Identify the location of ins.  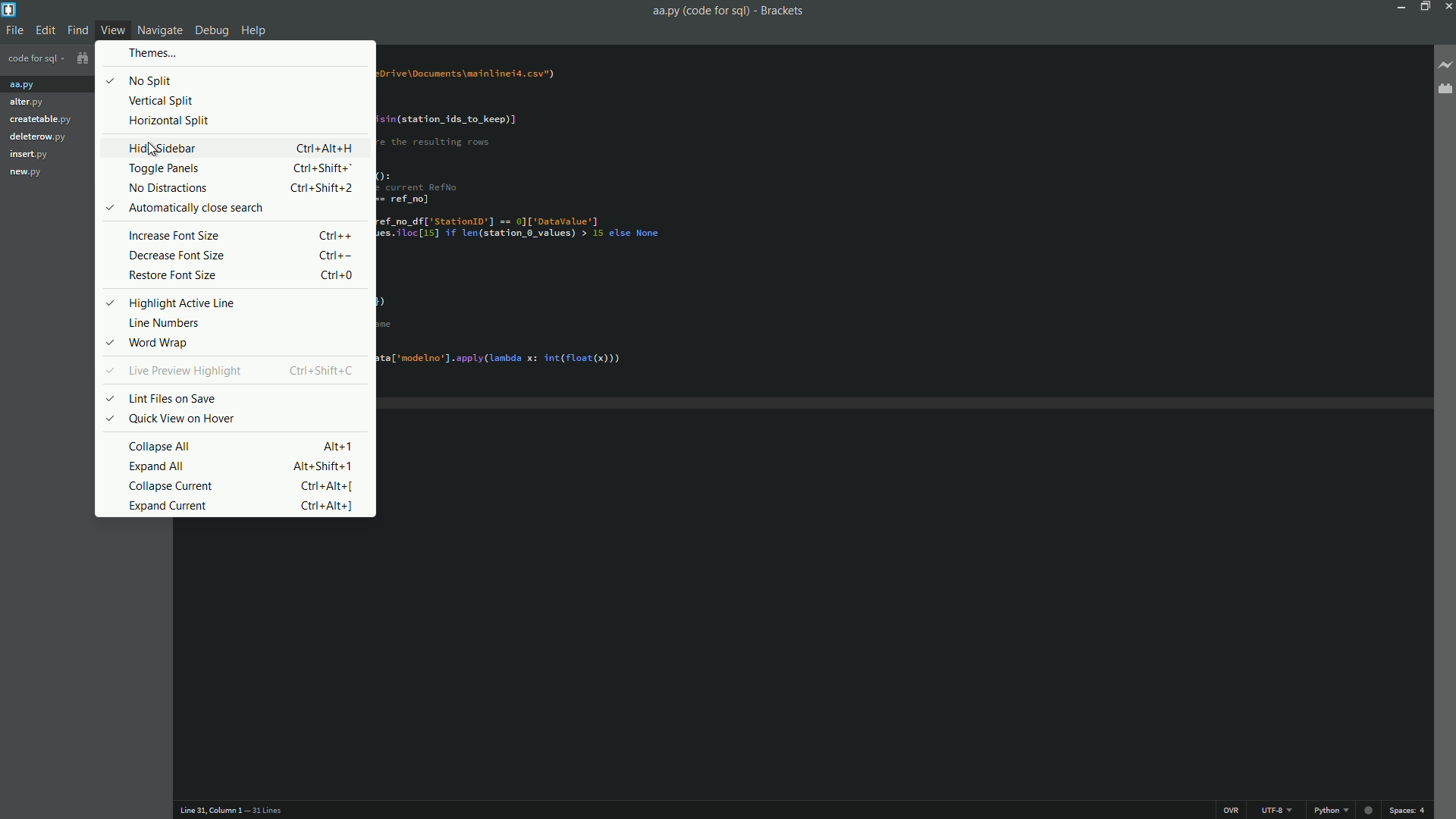
(1232, 810).